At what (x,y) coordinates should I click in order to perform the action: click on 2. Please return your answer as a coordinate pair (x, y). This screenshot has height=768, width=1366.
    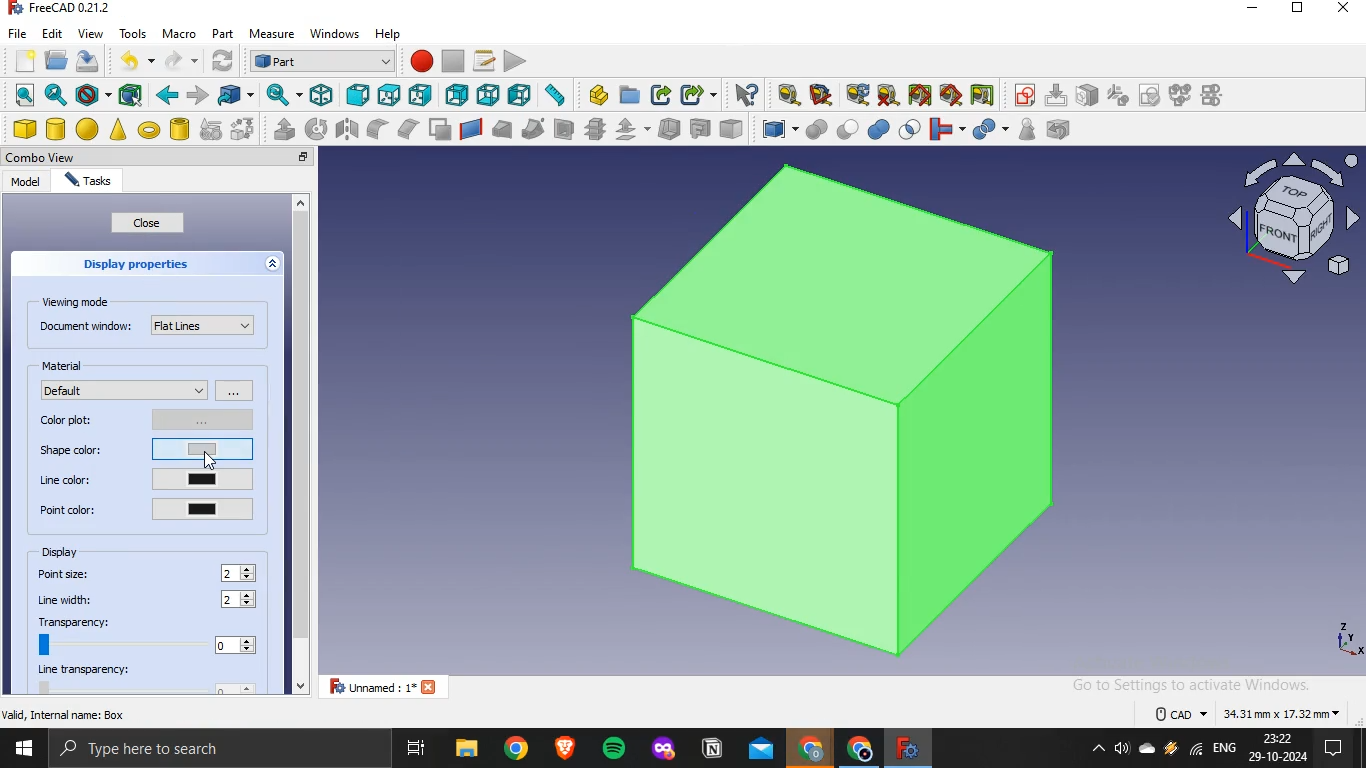
    Looking at the image, I should click on (241, 573).